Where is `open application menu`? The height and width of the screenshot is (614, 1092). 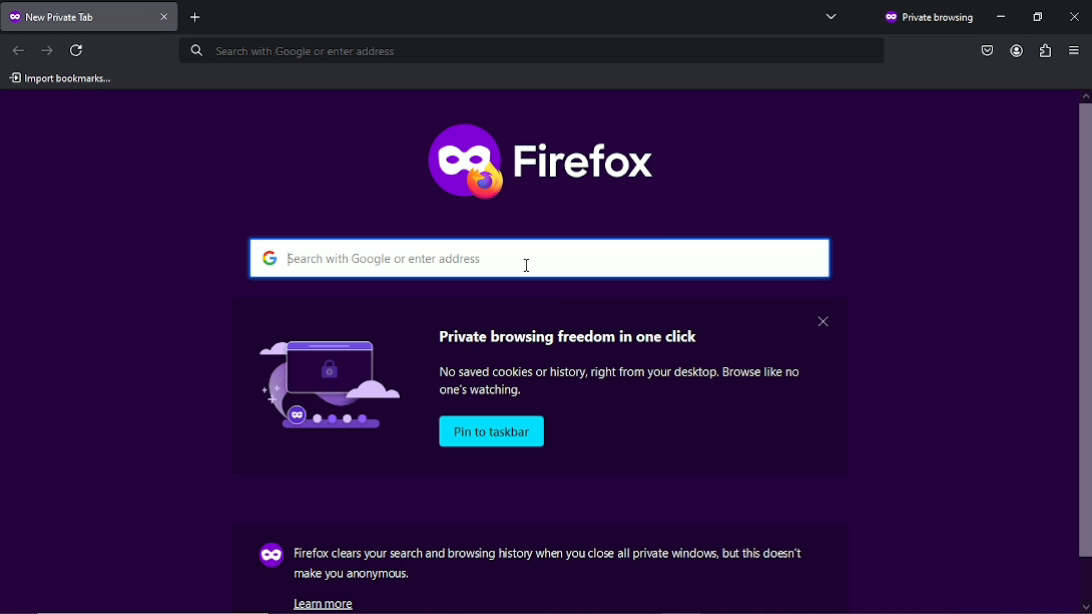
open application menu is located at coordinates (1074, 52).